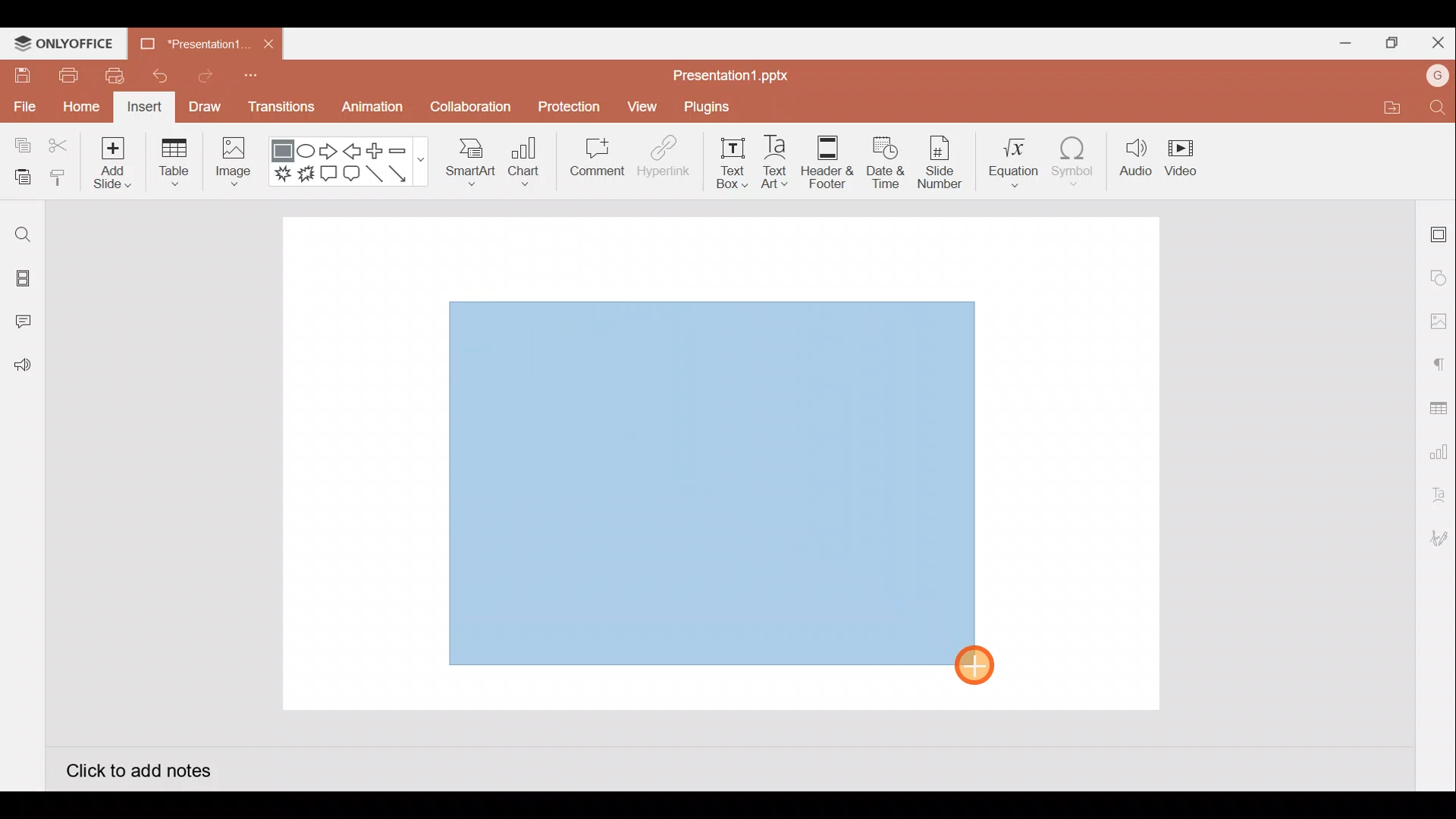 The image size is (1456, 819). What do you see at coordinates (378, 151) in the screenshot?
I see `Plus` at bounding box center [378, 151].